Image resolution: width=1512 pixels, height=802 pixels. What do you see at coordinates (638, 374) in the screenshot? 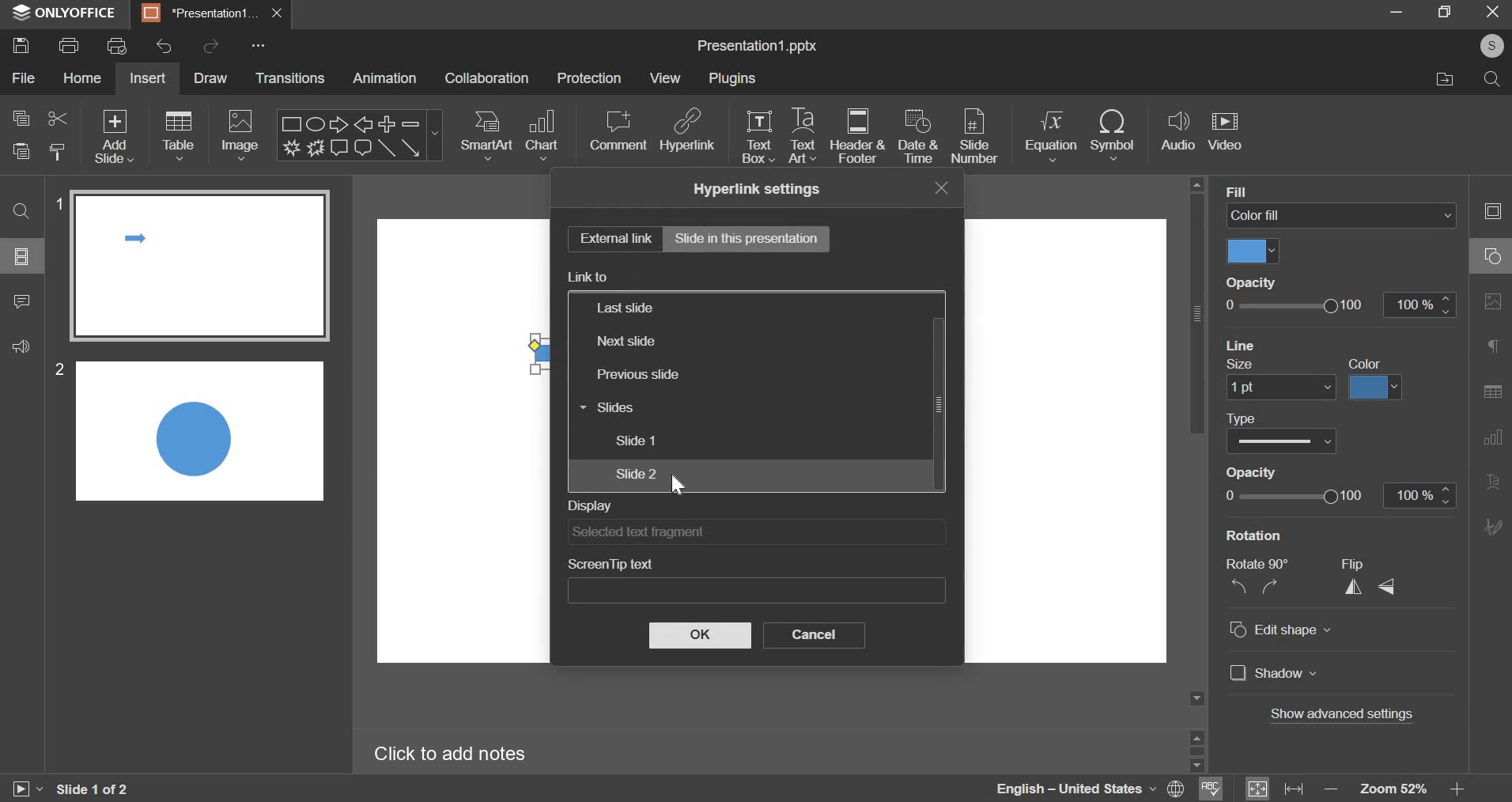
I see `previous slide` at bounding box center [638, 374].